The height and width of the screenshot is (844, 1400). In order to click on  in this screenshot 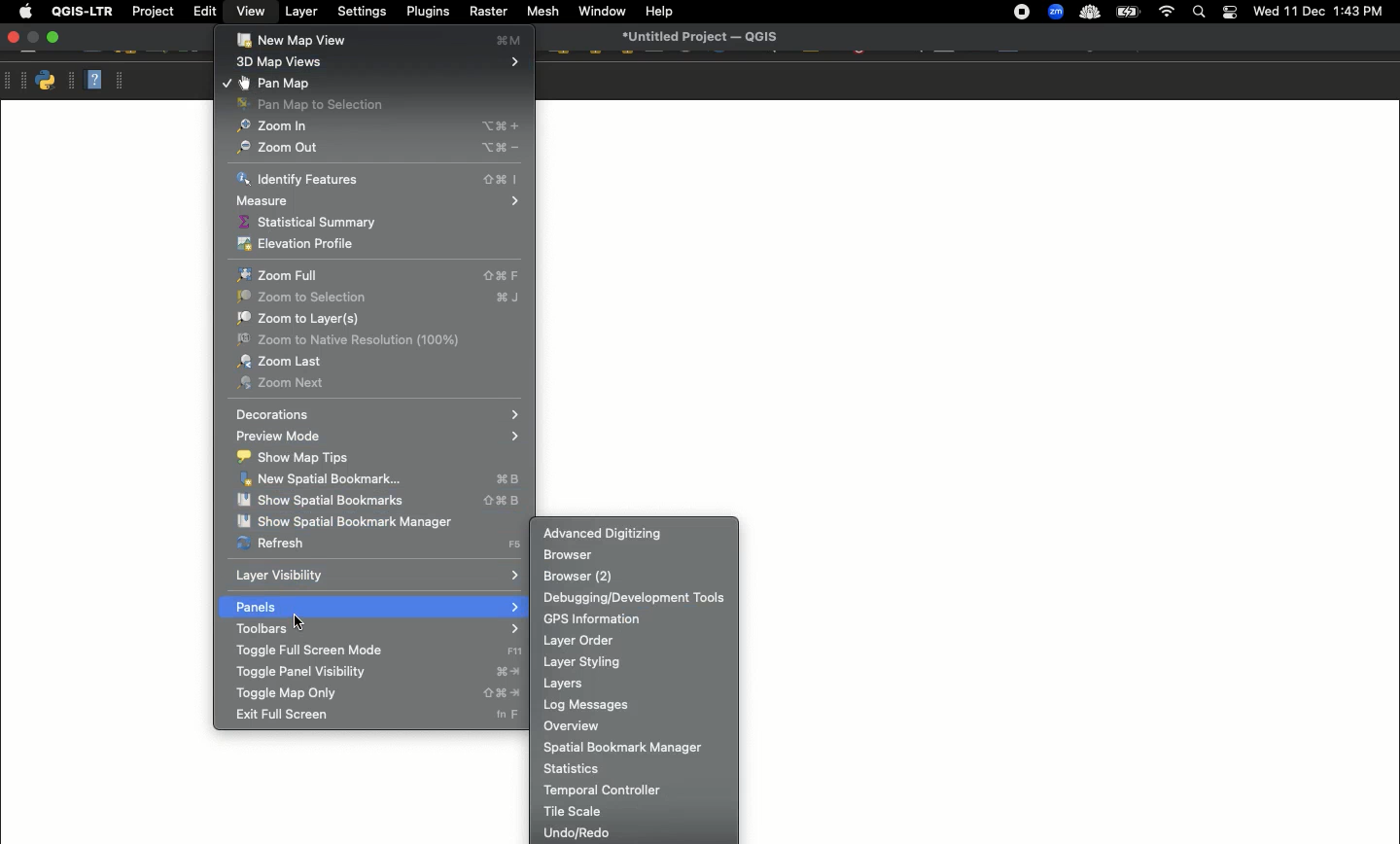, I will do `click(121, 82)`.